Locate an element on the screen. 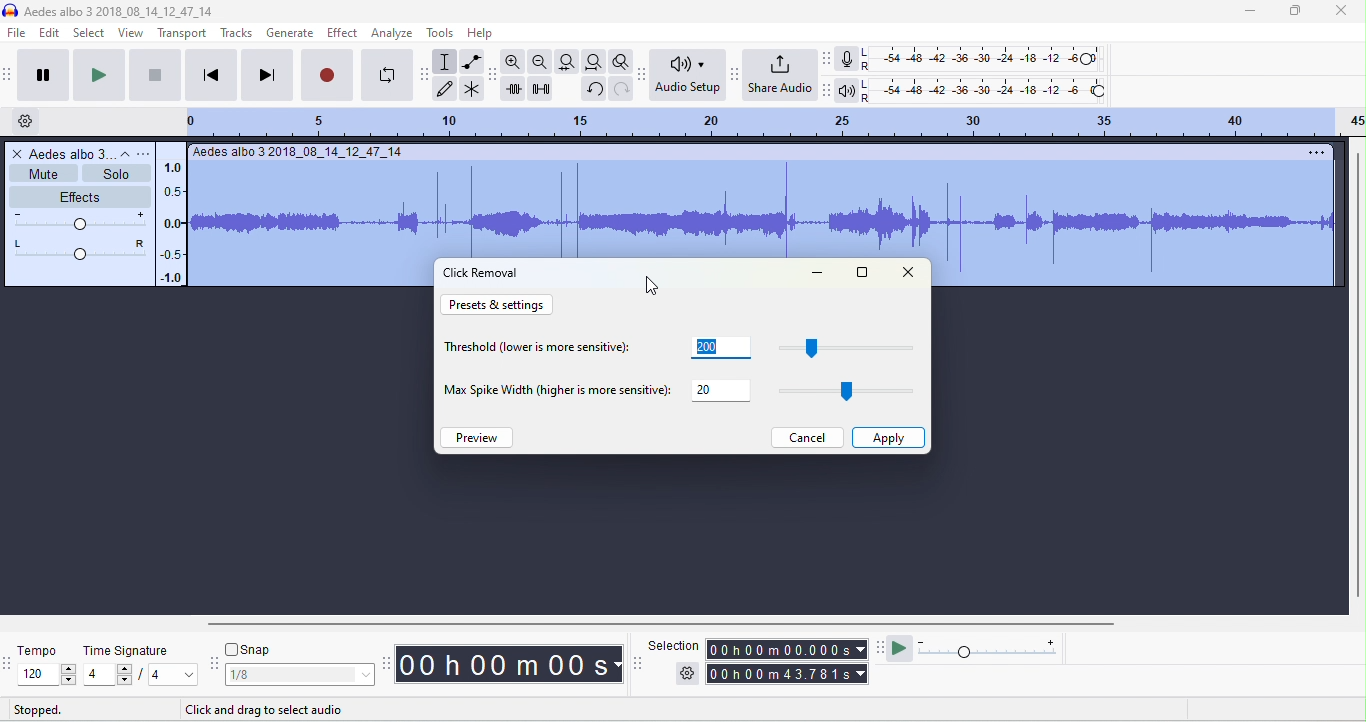 Image resolution: width=1366 pixels, height=722 pixels. record meter is located at coordinates (846, 59).